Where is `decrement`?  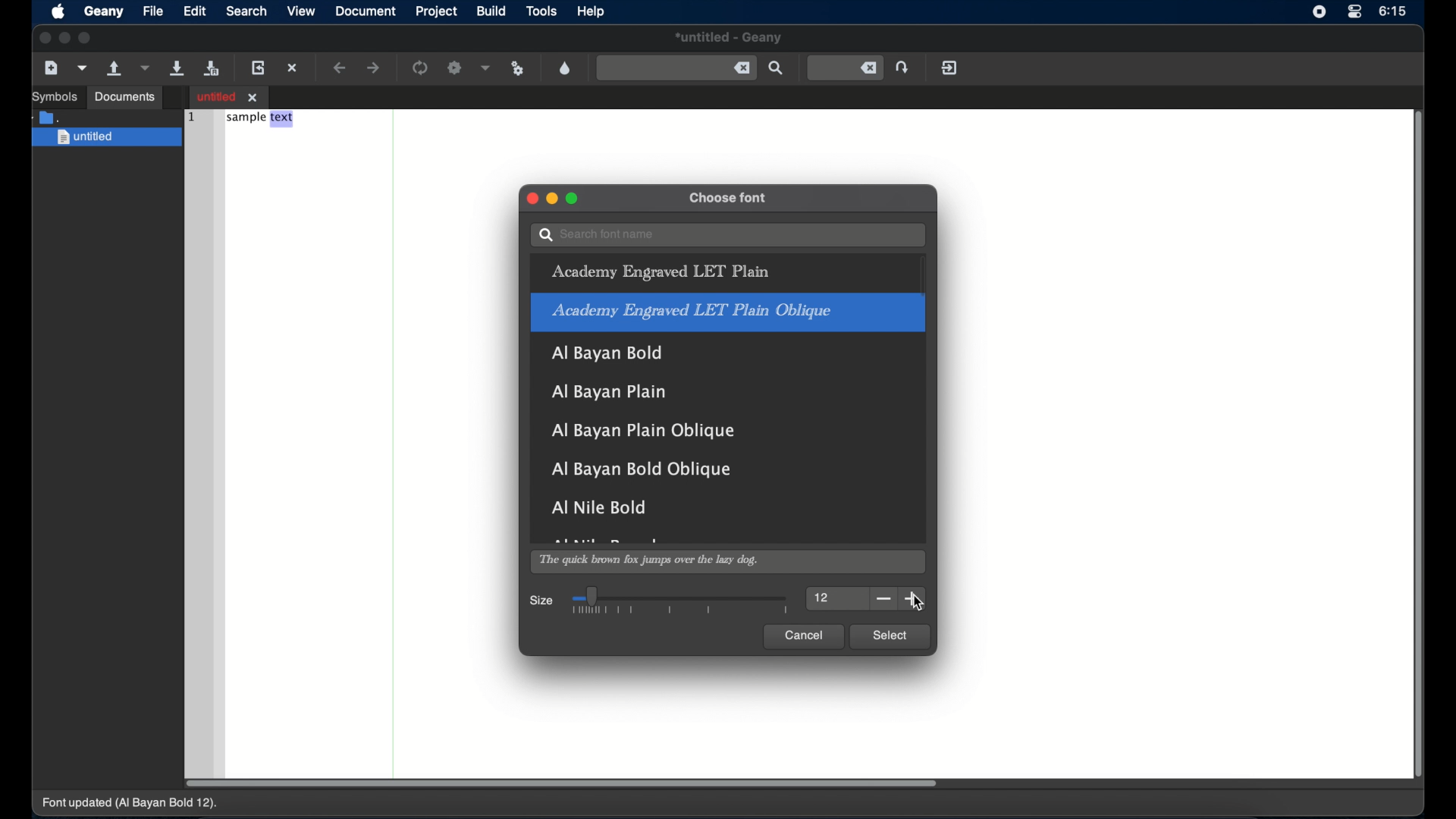 decrement is located at coordinates (884, 599).